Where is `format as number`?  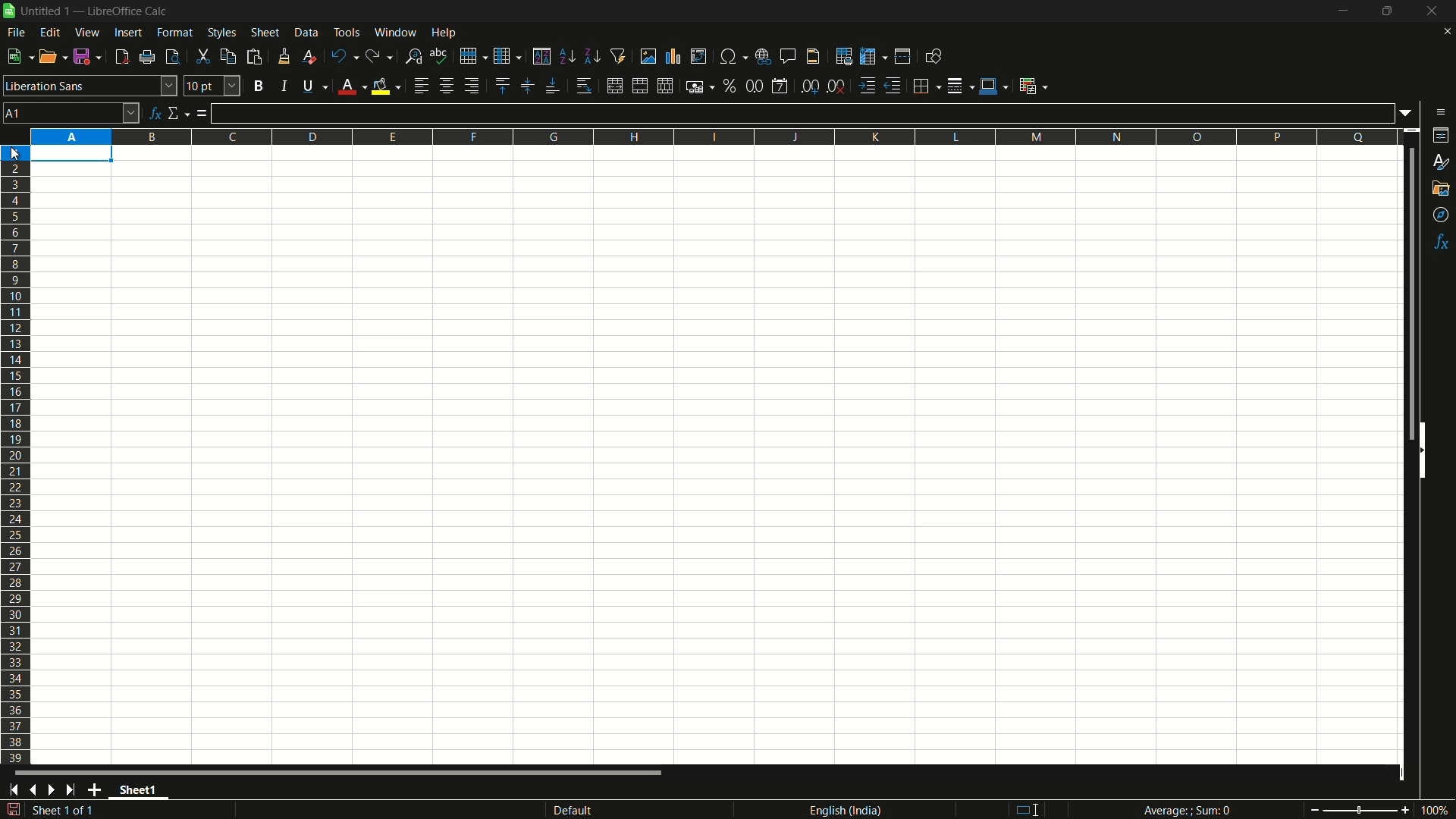
format as number is located at coordinates (754, 86).